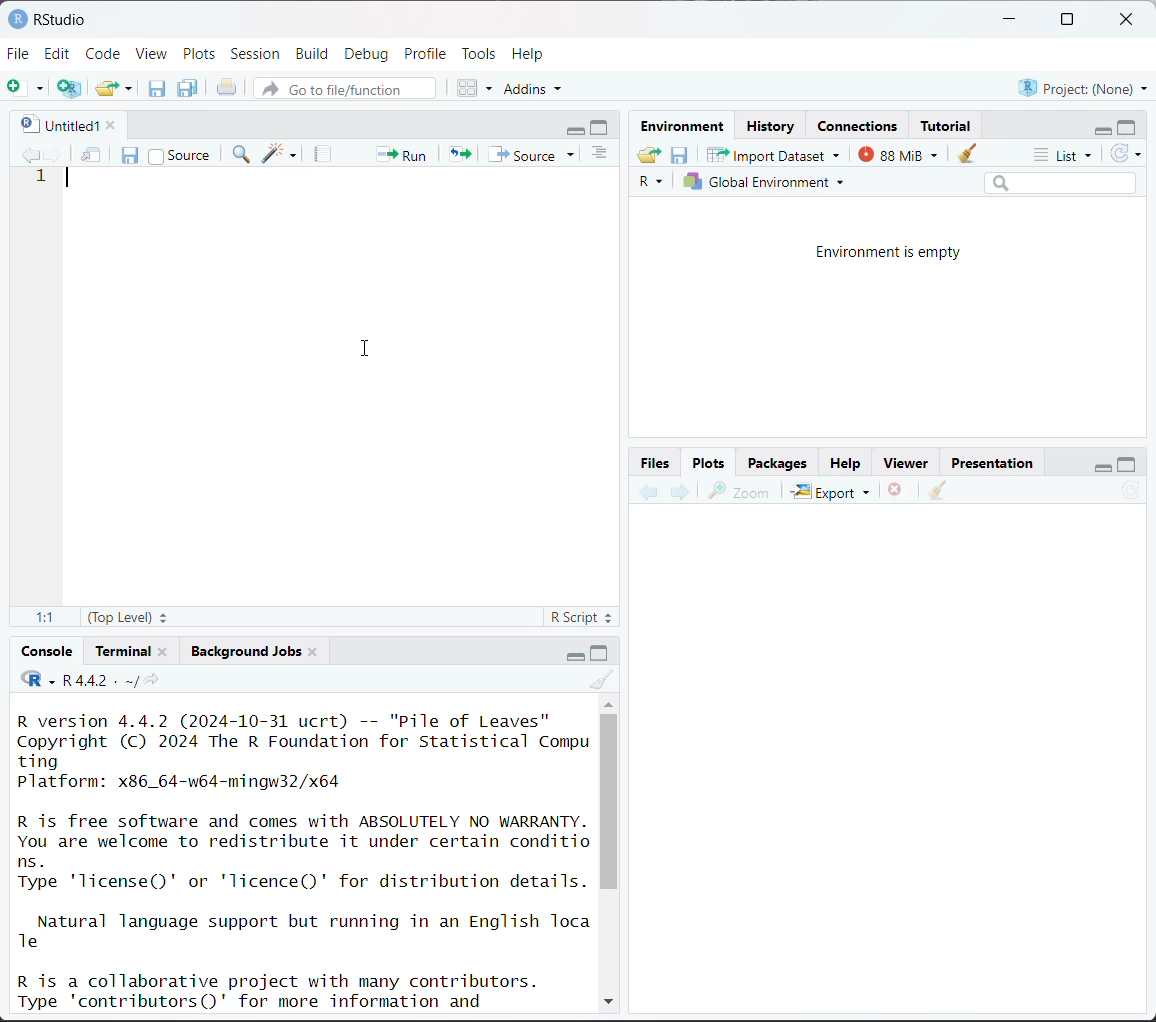 This screenshot has width=1156, height=1022. I want to click on Packages, so click(777, 462).